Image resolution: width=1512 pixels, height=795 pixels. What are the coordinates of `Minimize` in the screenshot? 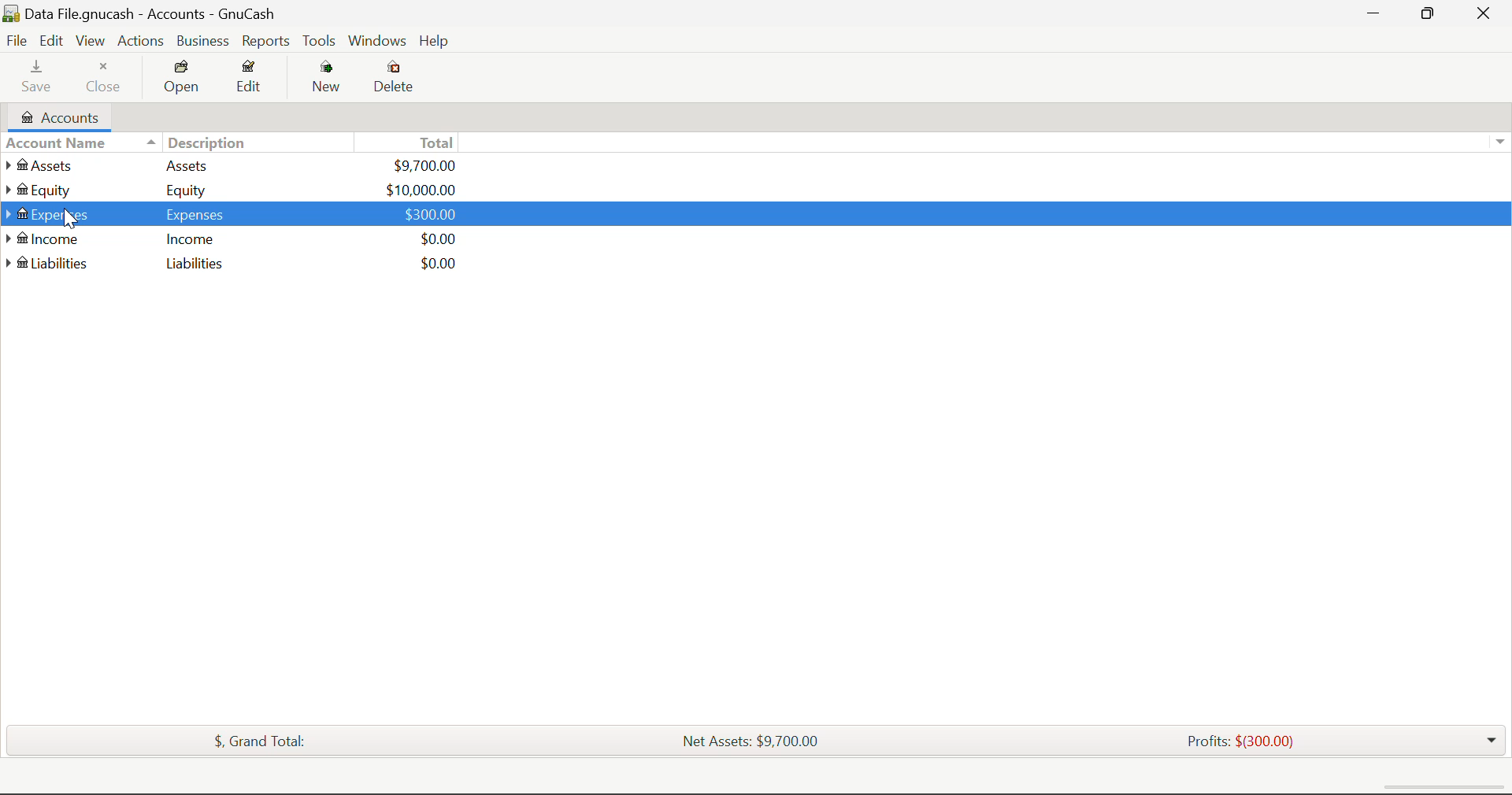 It's located at (1430, 16).